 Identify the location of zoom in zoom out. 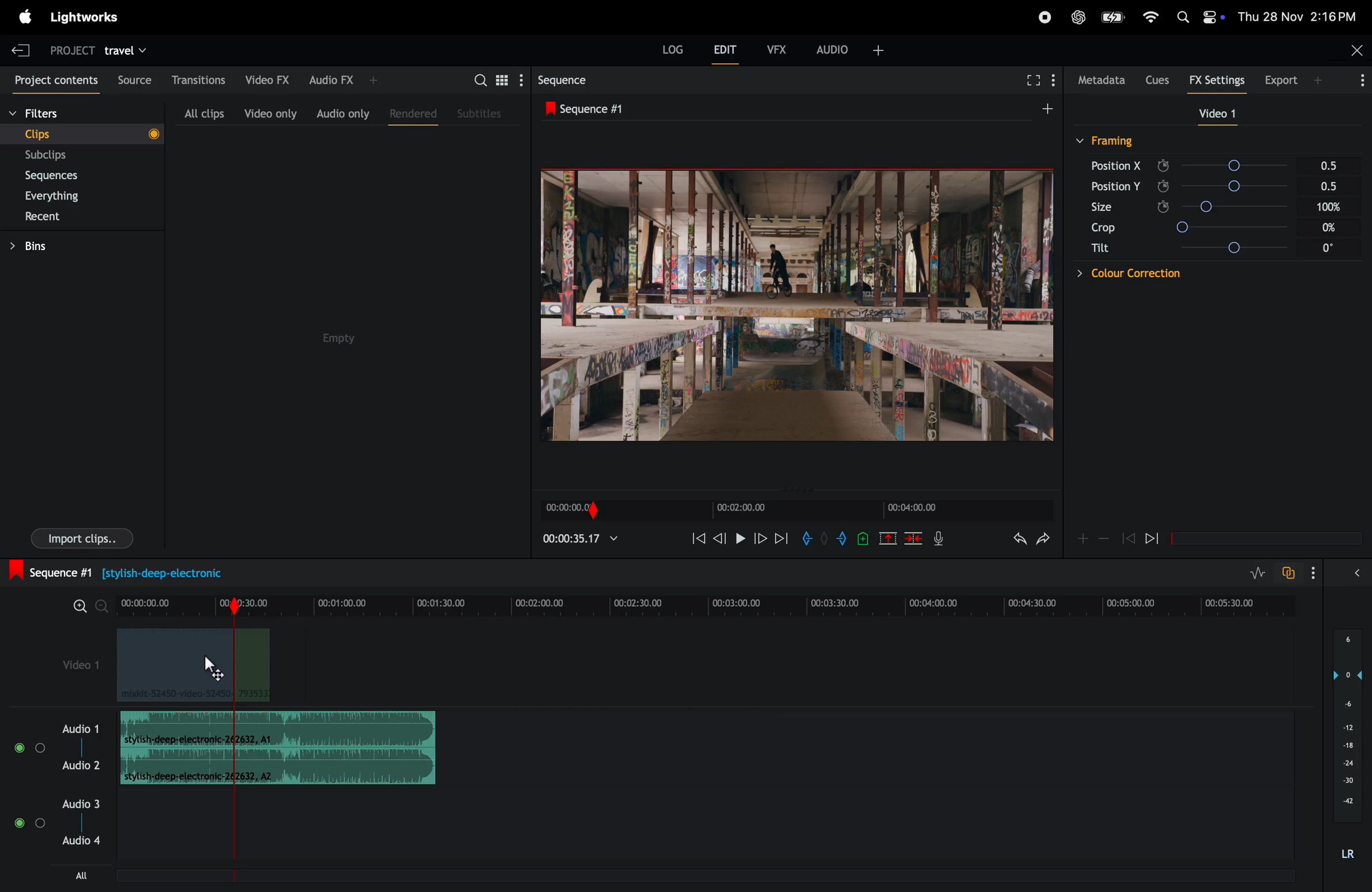
(82, 610).